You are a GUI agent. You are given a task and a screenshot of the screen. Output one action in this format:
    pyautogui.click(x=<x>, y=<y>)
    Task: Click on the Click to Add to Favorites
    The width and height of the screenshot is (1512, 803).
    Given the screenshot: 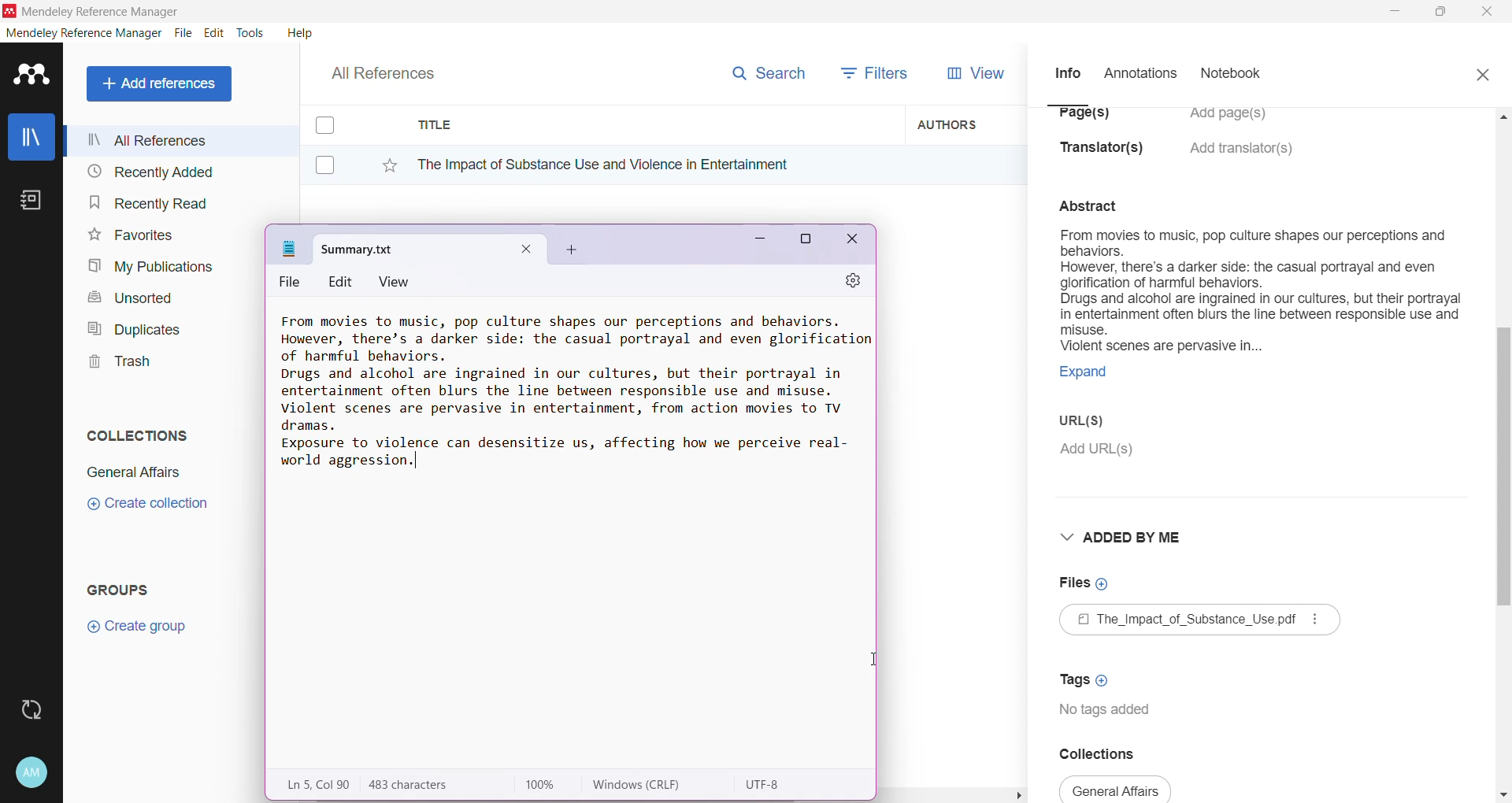 What is the action you would take?
    pyautogui.click(x=381, y=162)
    